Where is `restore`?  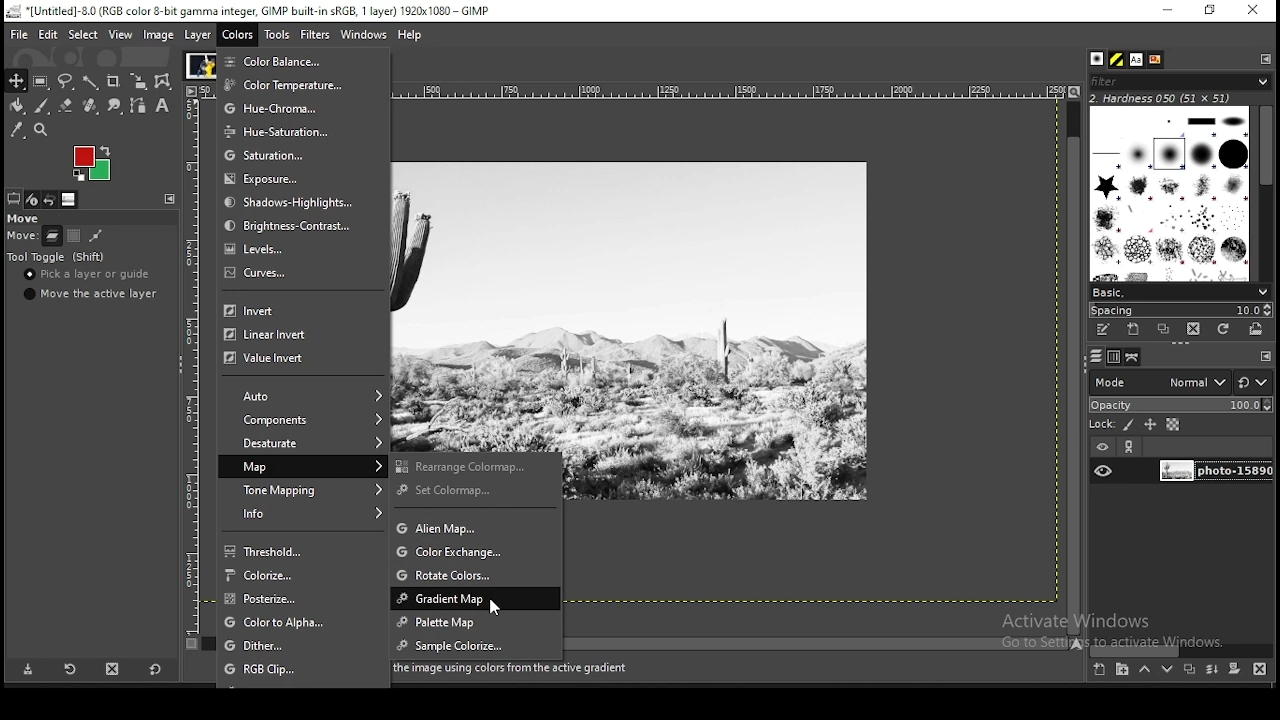 restore is located at coordinates (1211, 10).